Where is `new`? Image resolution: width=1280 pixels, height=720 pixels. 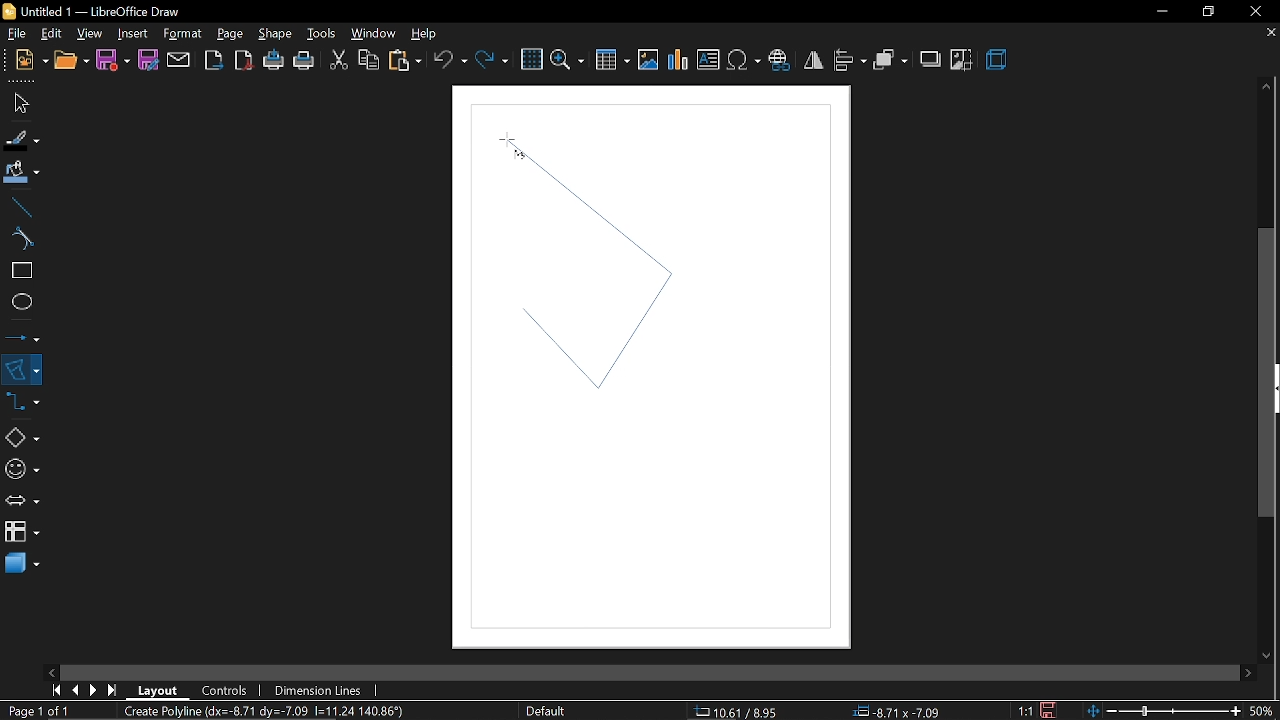
new is located at coordinates (32, 60).